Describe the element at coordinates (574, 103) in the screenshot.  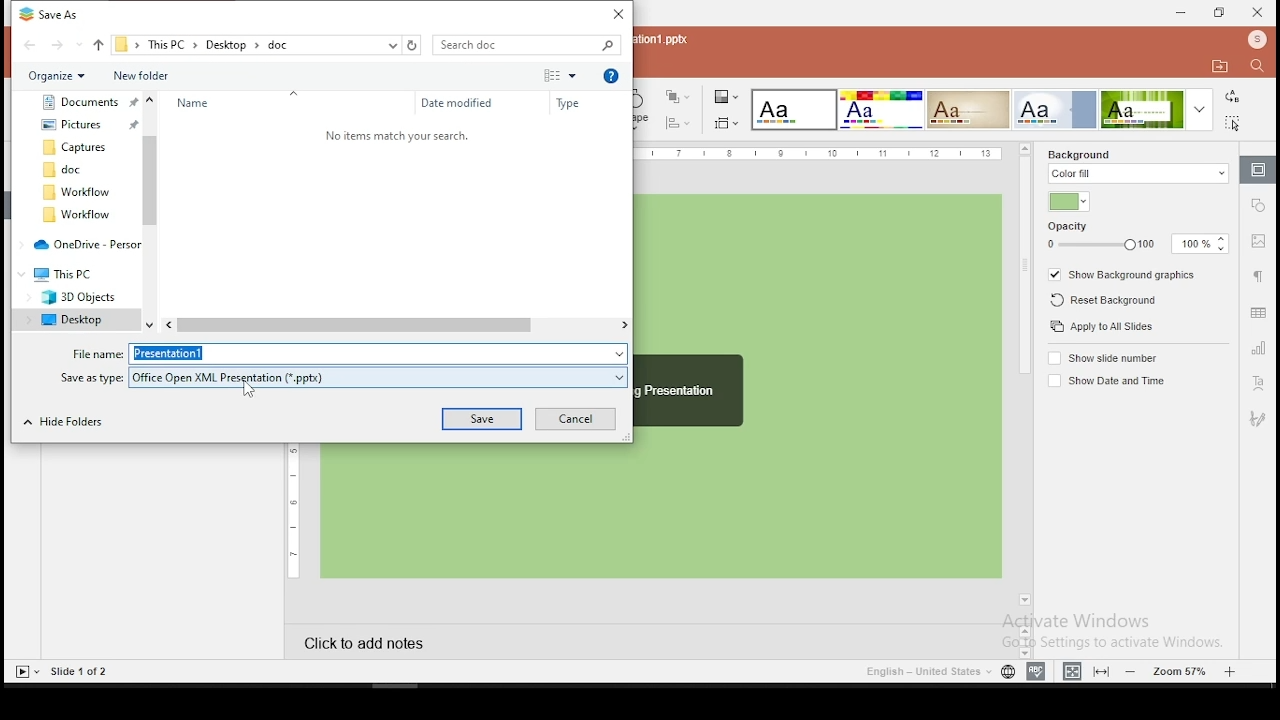
I see `Type` at that location.